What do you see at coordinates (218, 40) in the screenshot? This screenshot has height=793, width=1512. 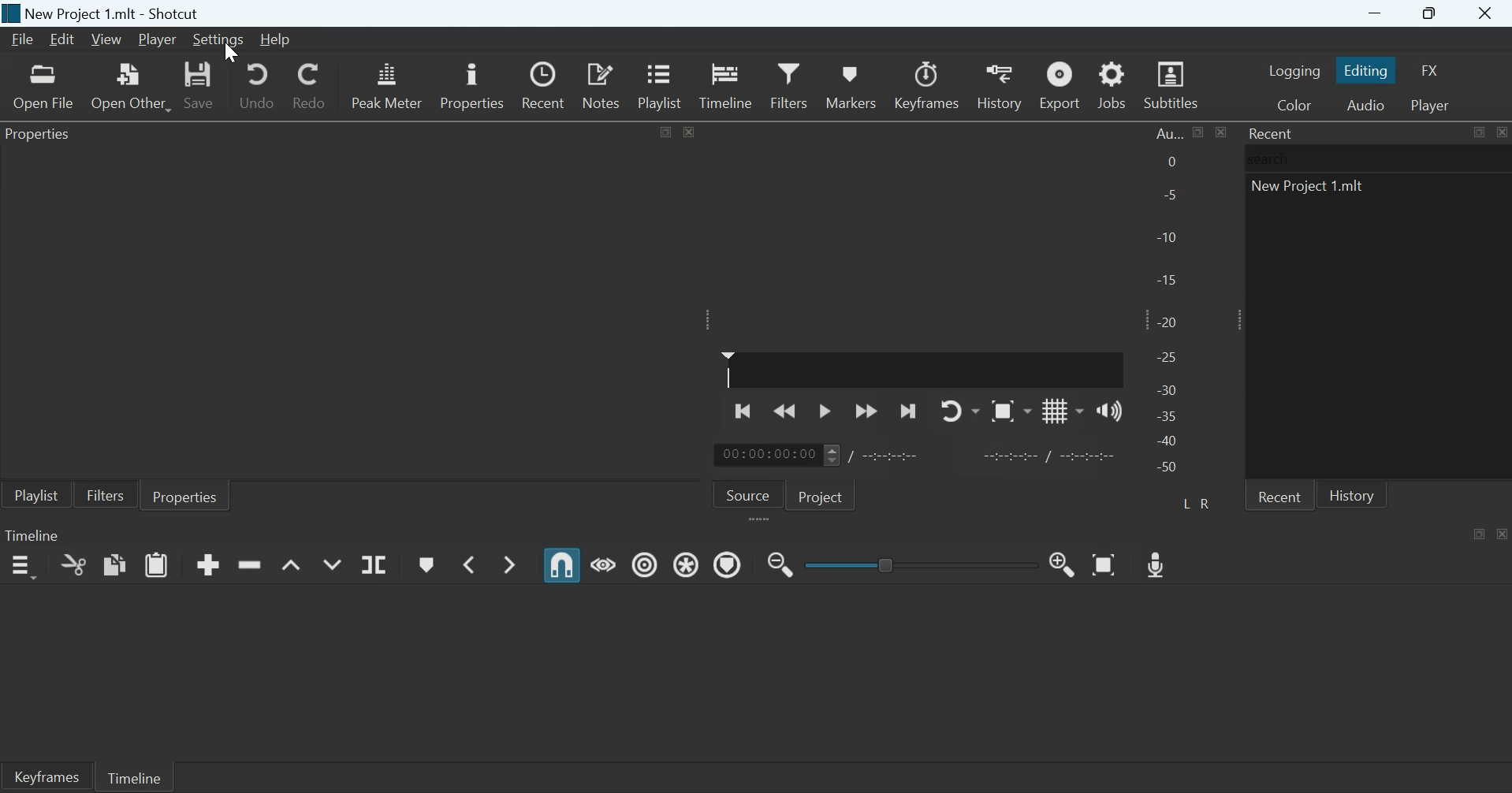 I see `Settings` at bounding box center [218, 40].